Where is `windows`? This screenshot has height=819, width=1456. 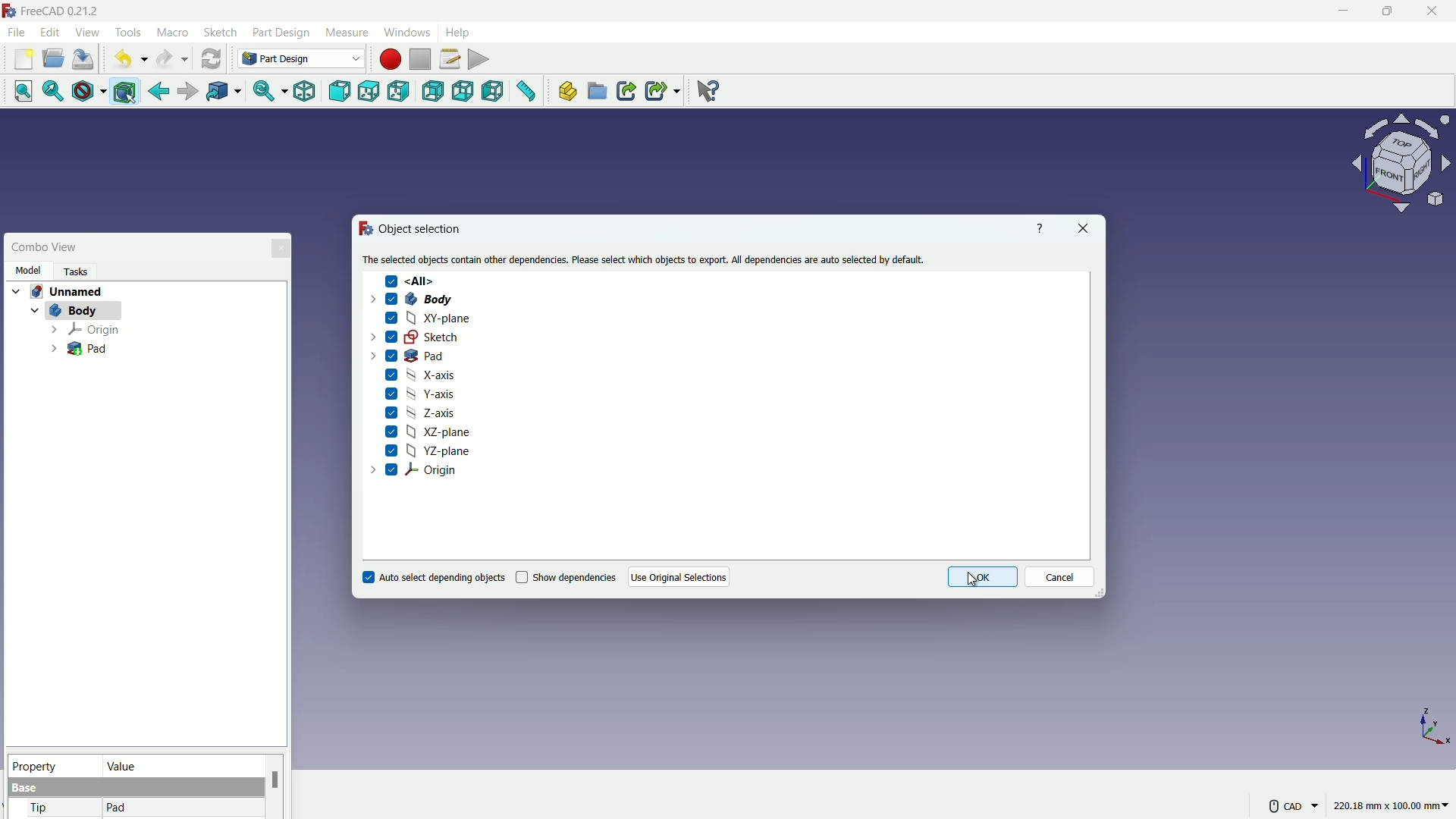 windows is located at coordinates (406, 32).